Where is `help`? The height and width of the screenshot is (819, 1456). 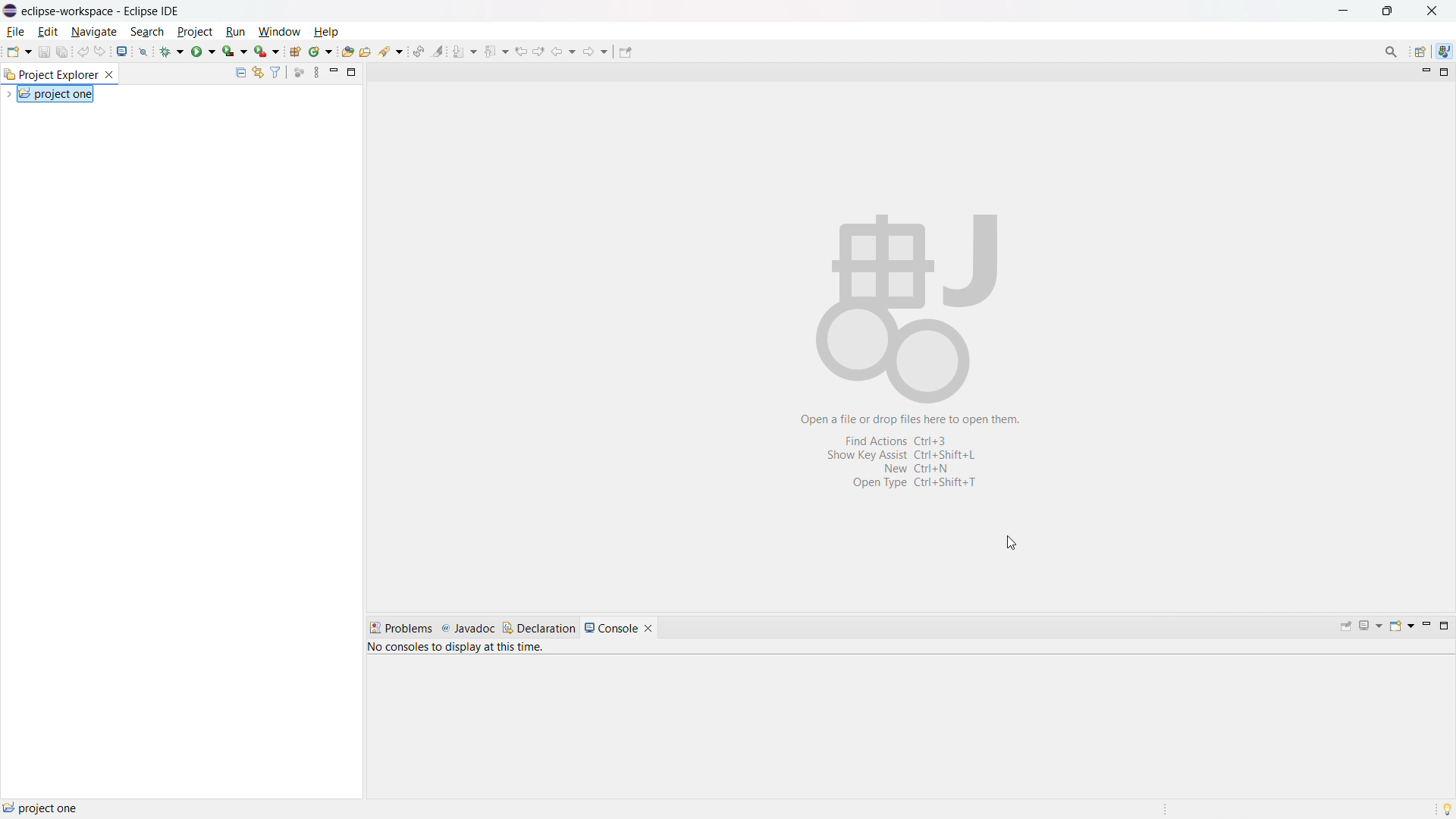
help is located at coordinates (325, 32).